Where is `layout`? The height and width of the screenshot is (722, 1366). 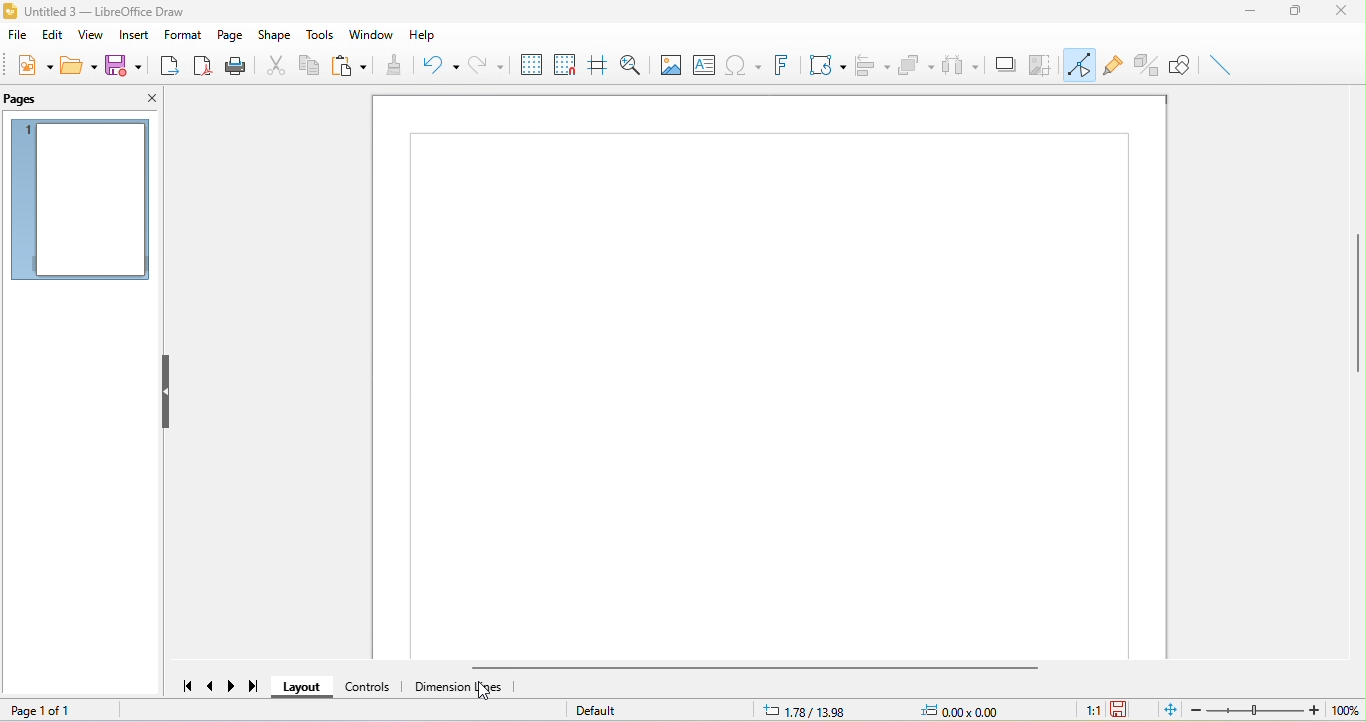 layout is located at coordinates (302, 688).